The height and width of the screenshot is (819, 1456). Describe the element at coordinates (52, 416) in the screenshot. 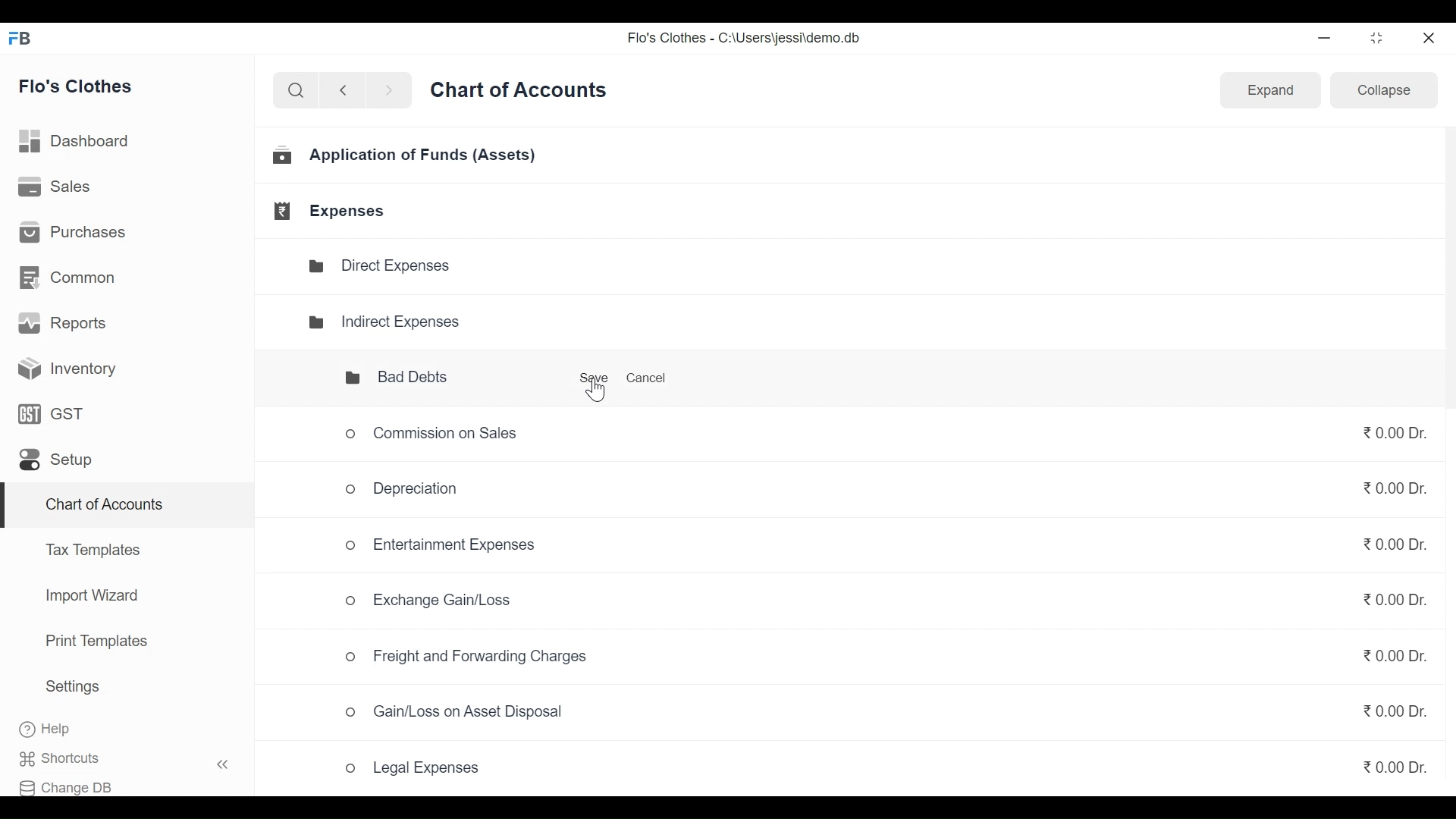

I see `GST` at that location.